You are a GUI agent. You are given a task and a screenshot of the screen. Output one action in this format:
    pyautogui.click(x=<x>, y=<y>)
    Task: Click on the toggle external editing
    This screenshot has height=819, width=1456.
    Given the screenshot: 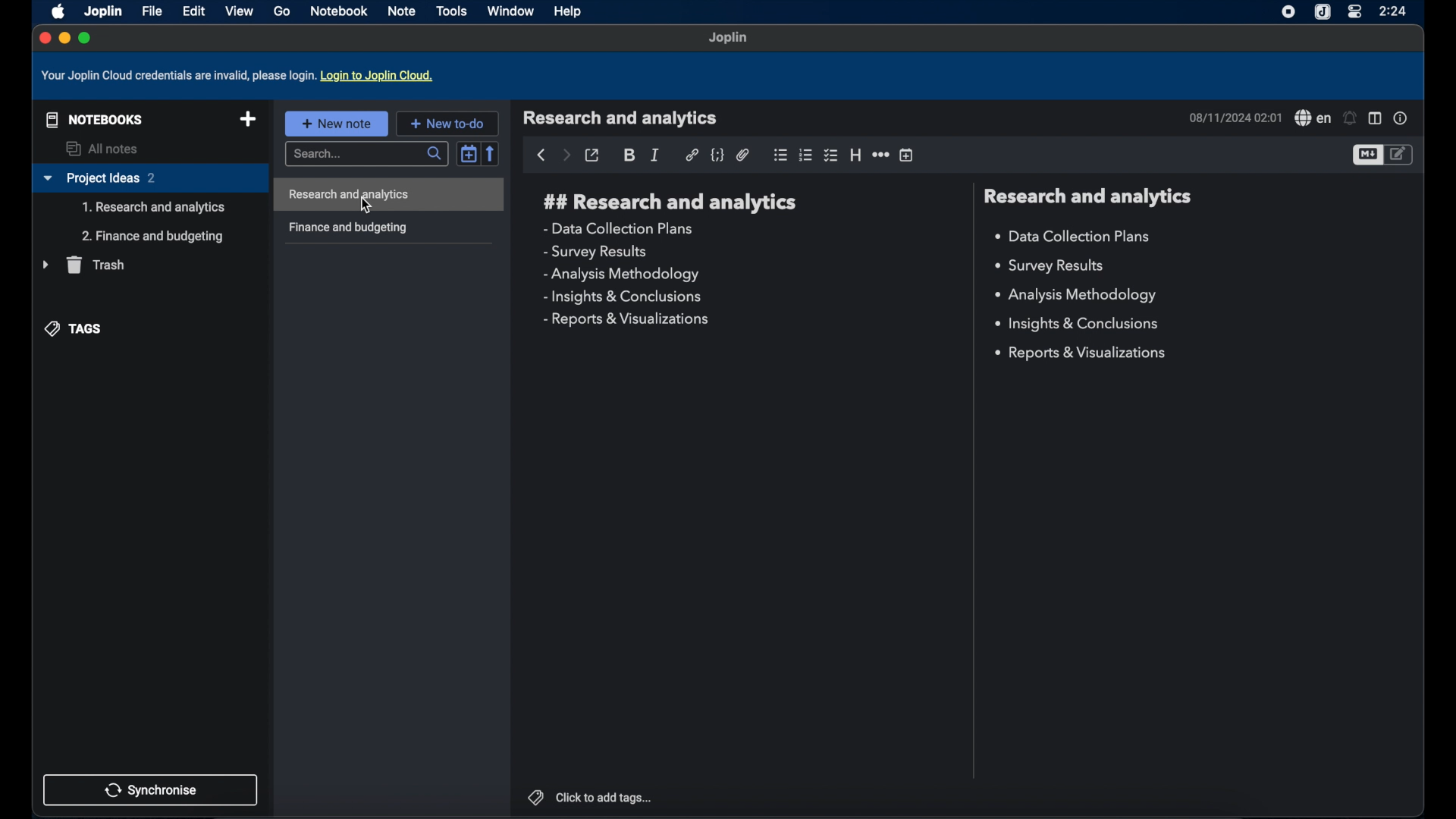 What is the action you would take?
    pyautogui.click(x=593, y=155)
    